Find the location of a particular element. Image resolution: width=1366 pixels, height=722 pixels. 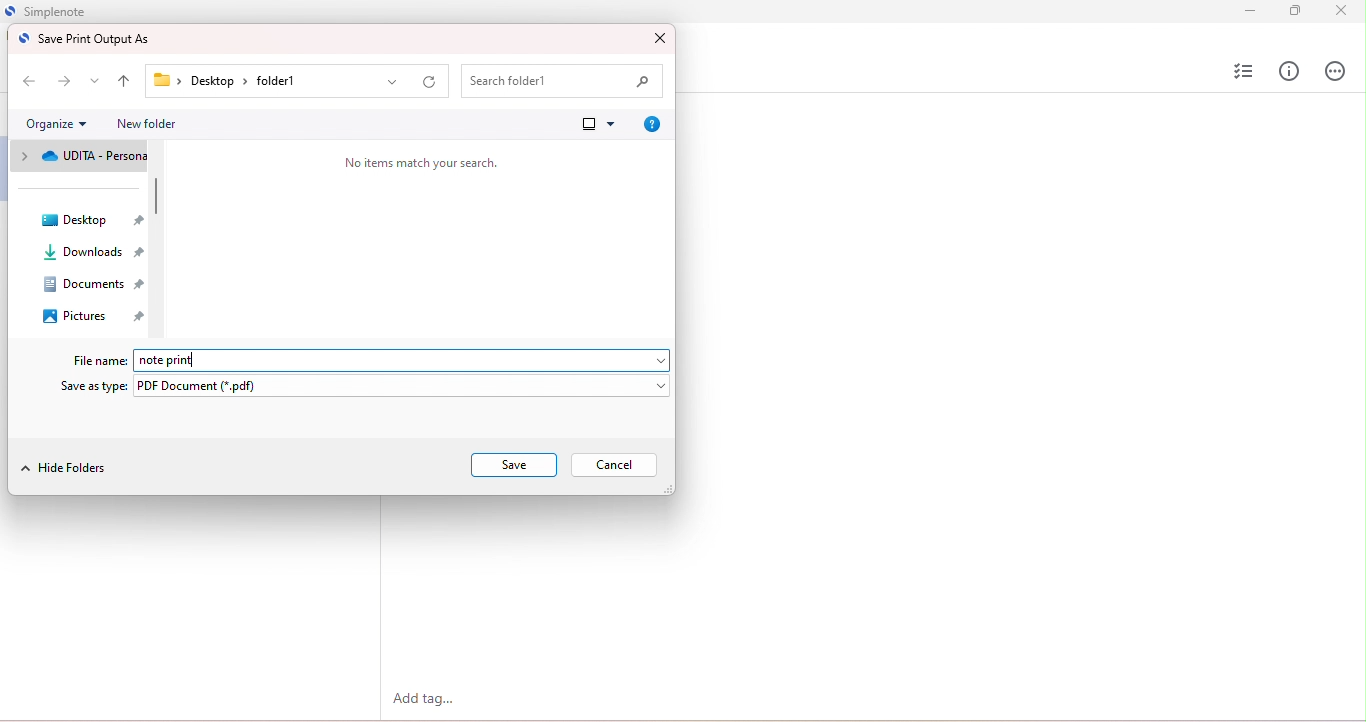

info is located at coordinates (1290, 71).